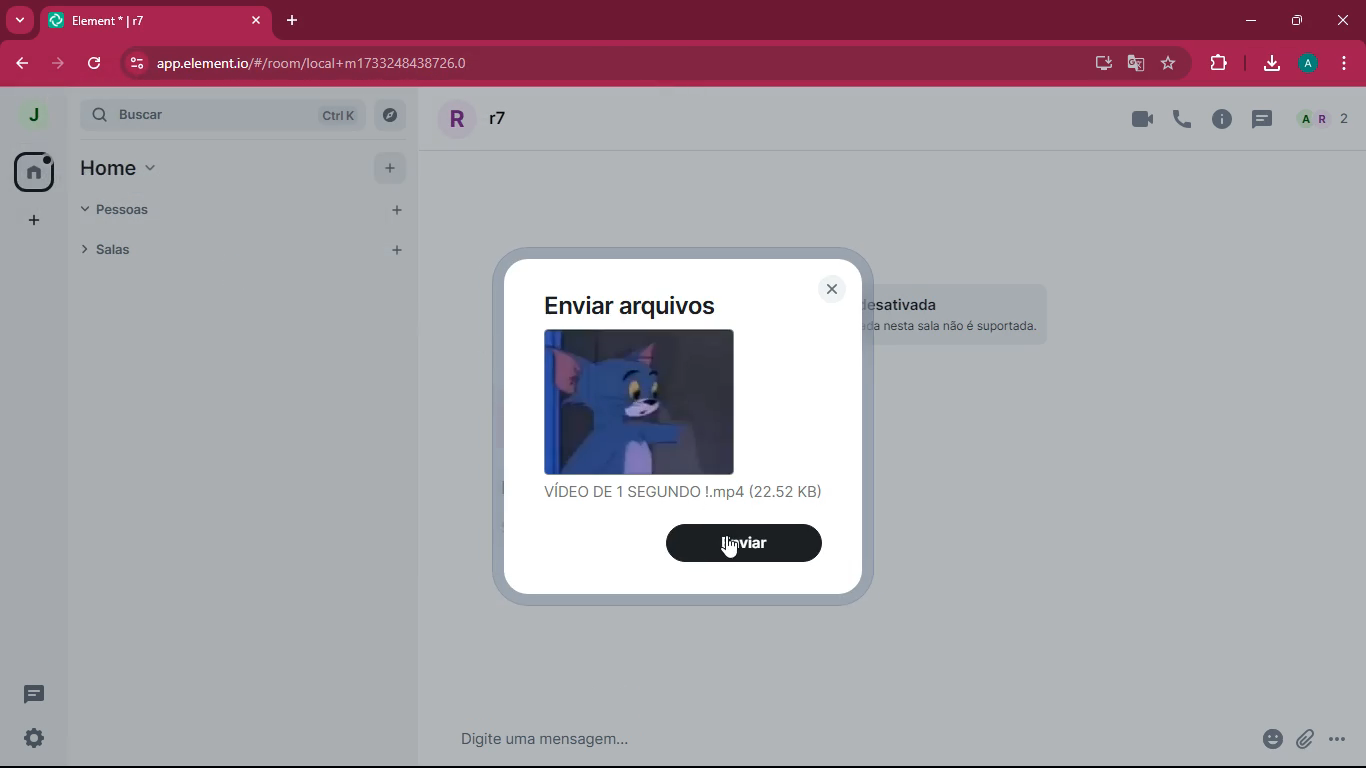 Image resolution: width=1366 pixels, height=768 pixels. What do you see at coordinates (1182, 119) in the screenshot?
I see `call` at bounding box center [1182, 119].